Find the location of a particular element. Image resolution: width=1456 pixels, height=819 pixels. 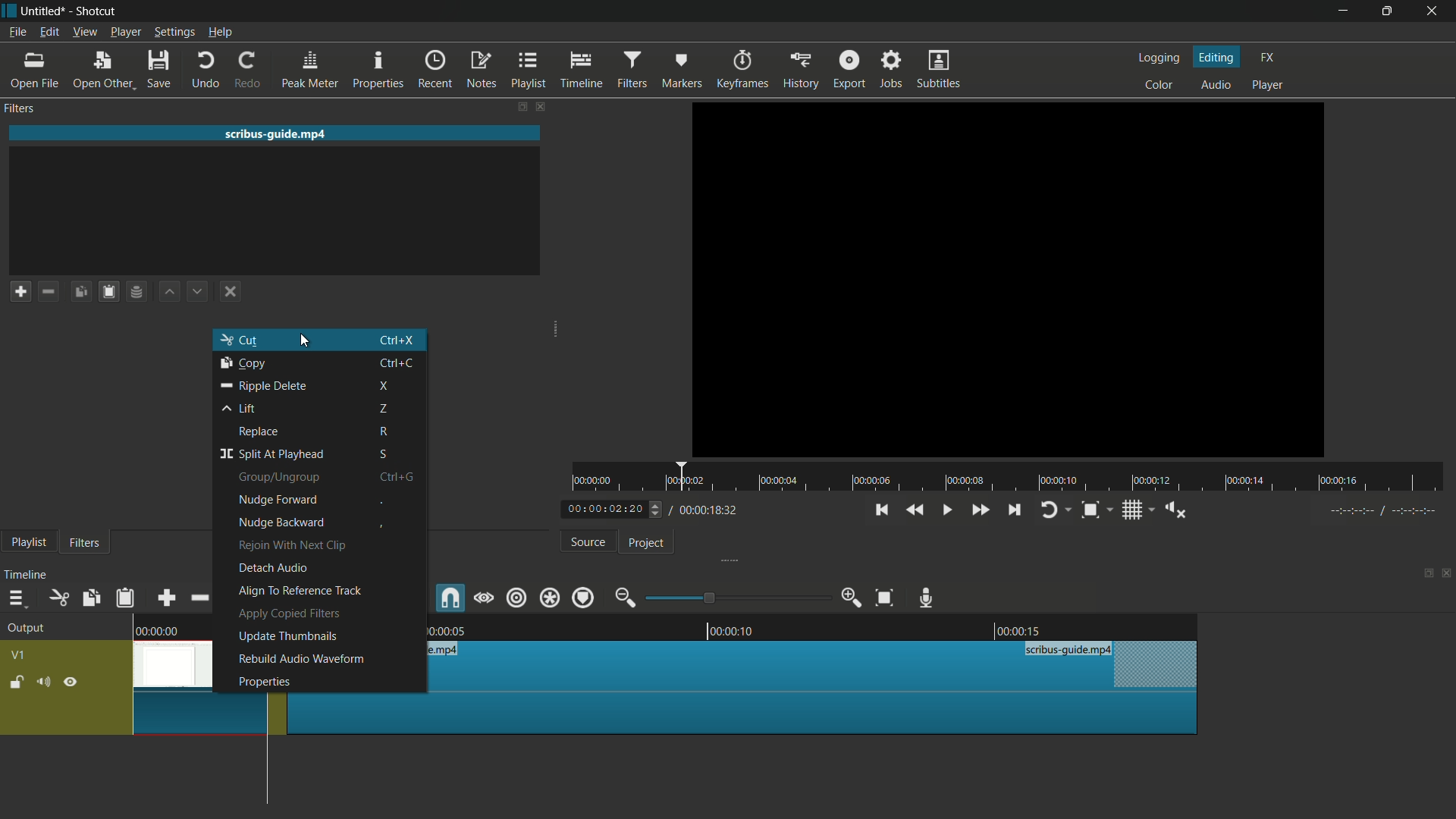

v1 is located at coordinates (19, 655).